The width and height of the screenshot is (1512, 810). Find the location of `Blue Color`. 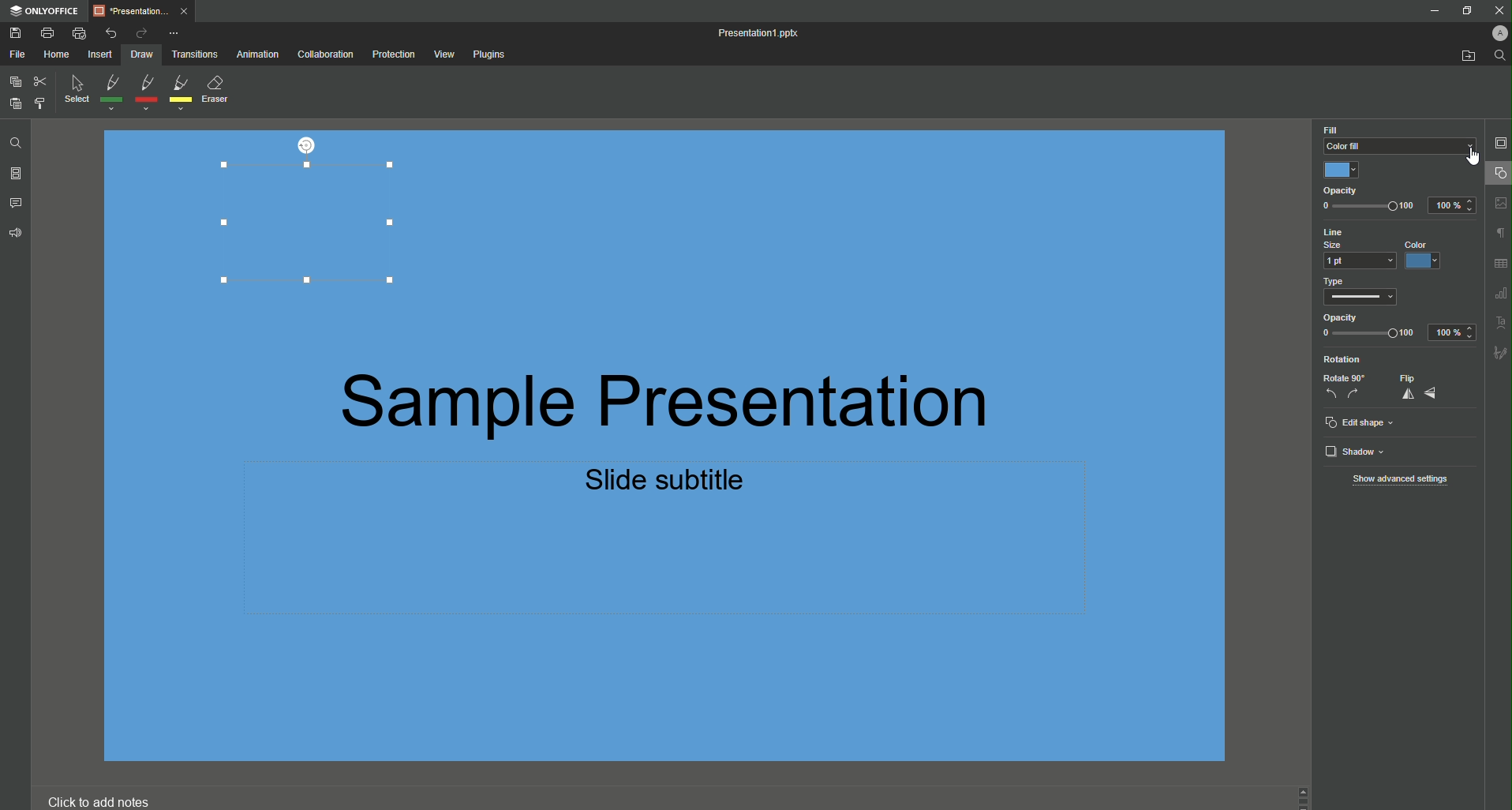

Blue Color is located at coordinates (1427, 257).